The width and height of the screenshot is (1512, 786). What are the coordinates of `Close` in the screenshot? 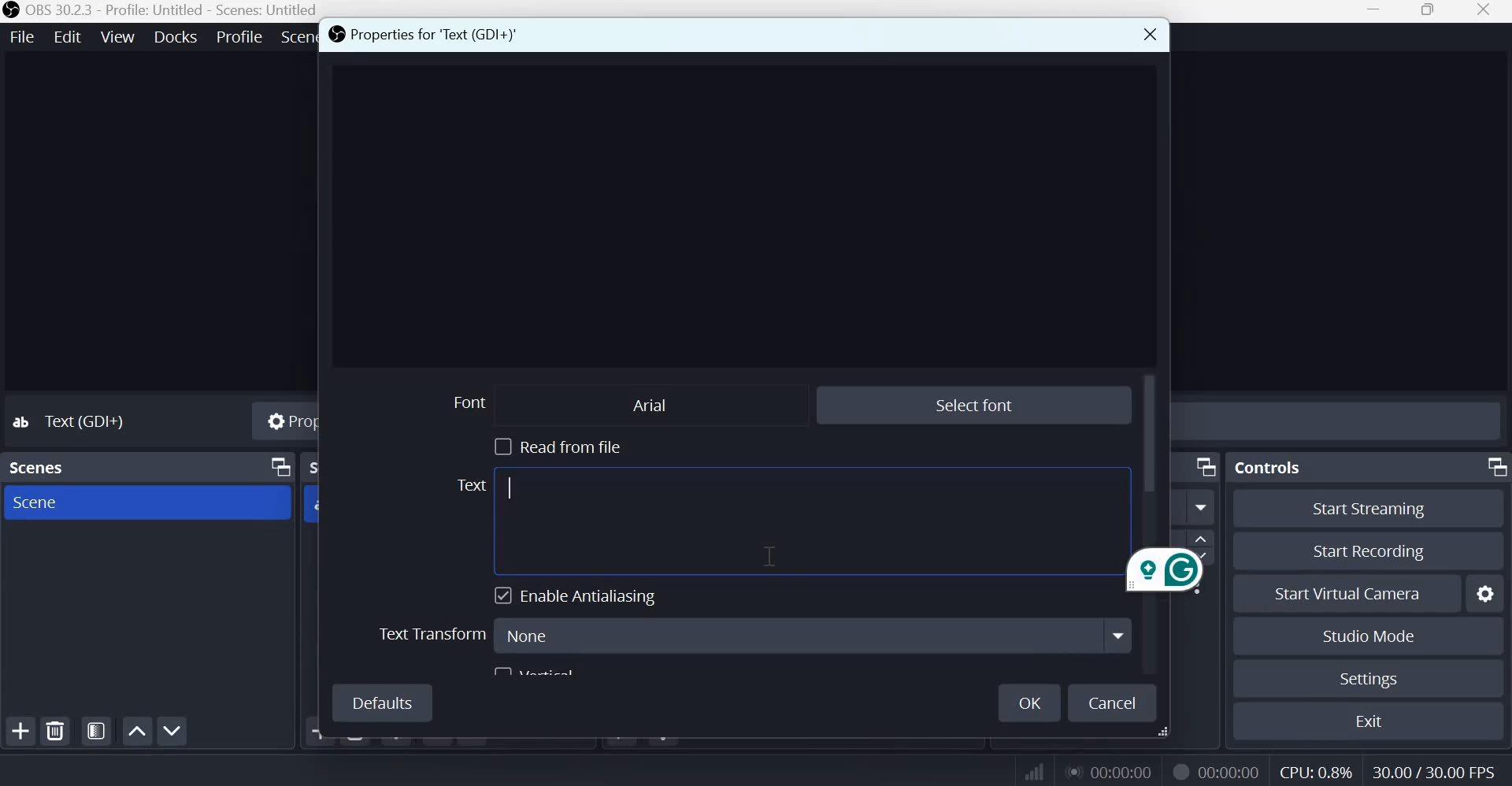 It's located at (1147, 35).